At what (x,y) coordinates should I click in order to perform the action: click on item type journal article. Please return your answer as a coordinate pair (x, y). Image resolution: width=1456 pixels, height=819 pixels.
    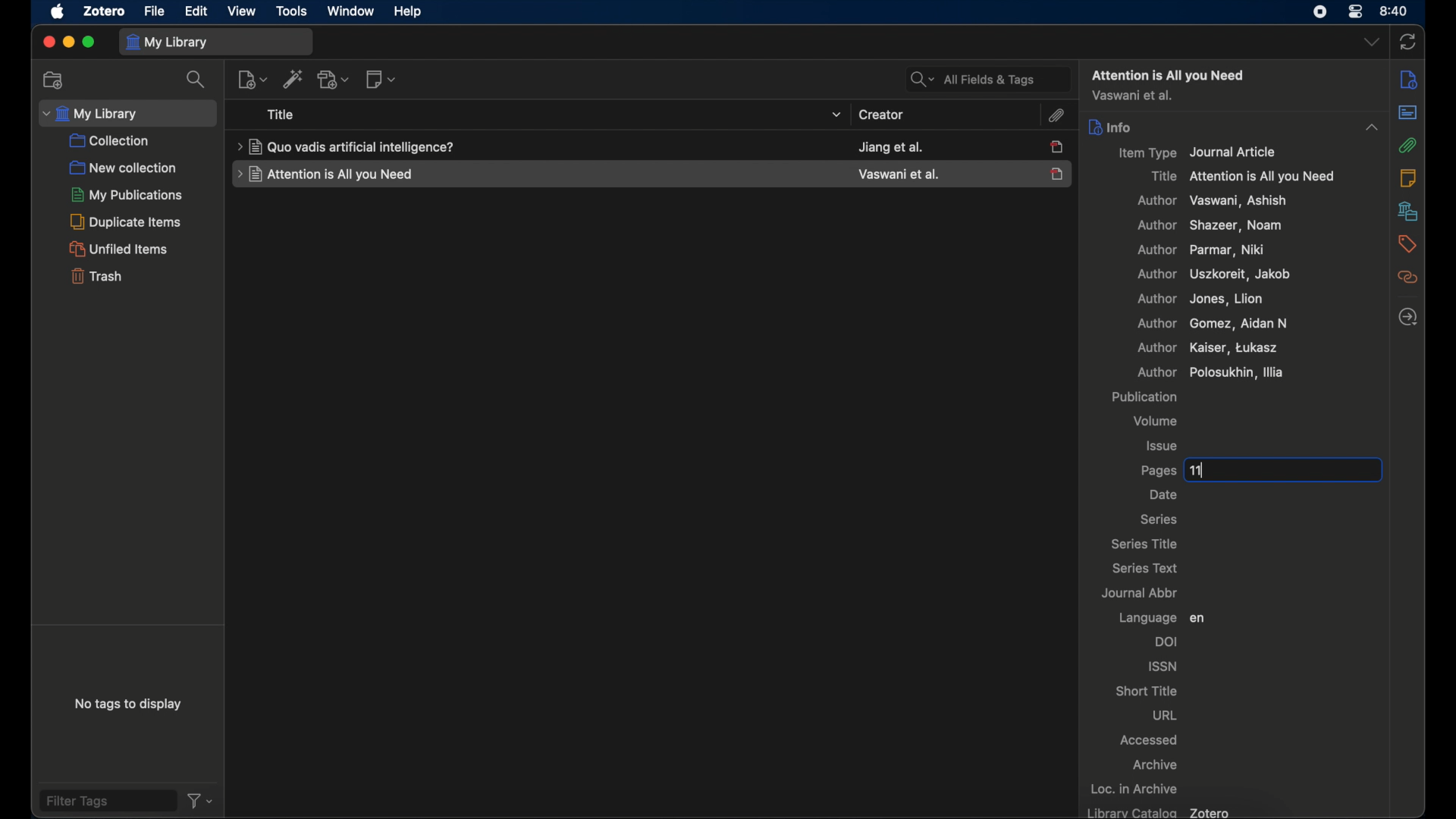
    Looking at the image, I should click on (1205, 153).